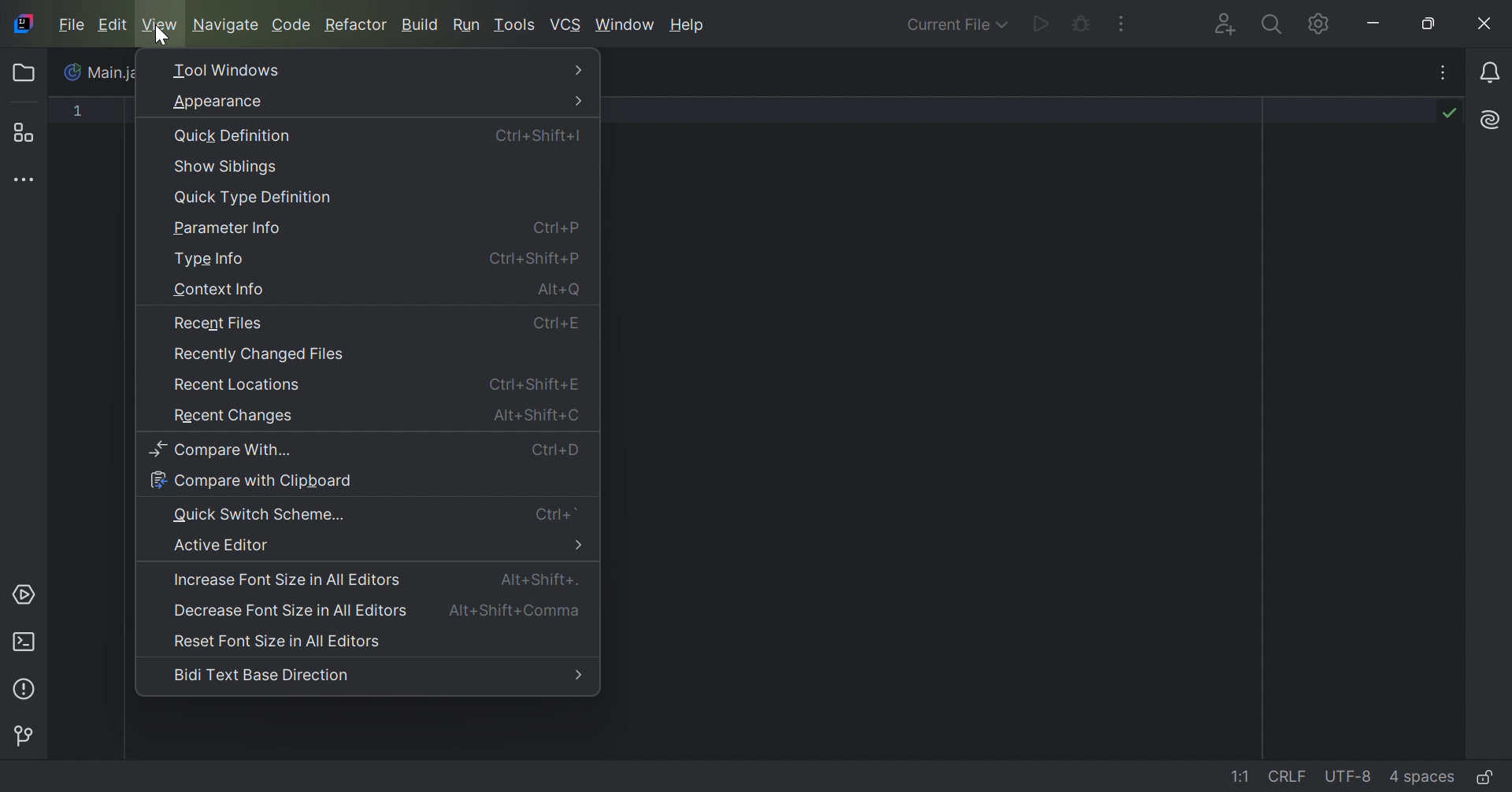 Image resolution: width=1512 pixels, height=792 pixels. I want to click on Ctrl+P, so click(558, 227).